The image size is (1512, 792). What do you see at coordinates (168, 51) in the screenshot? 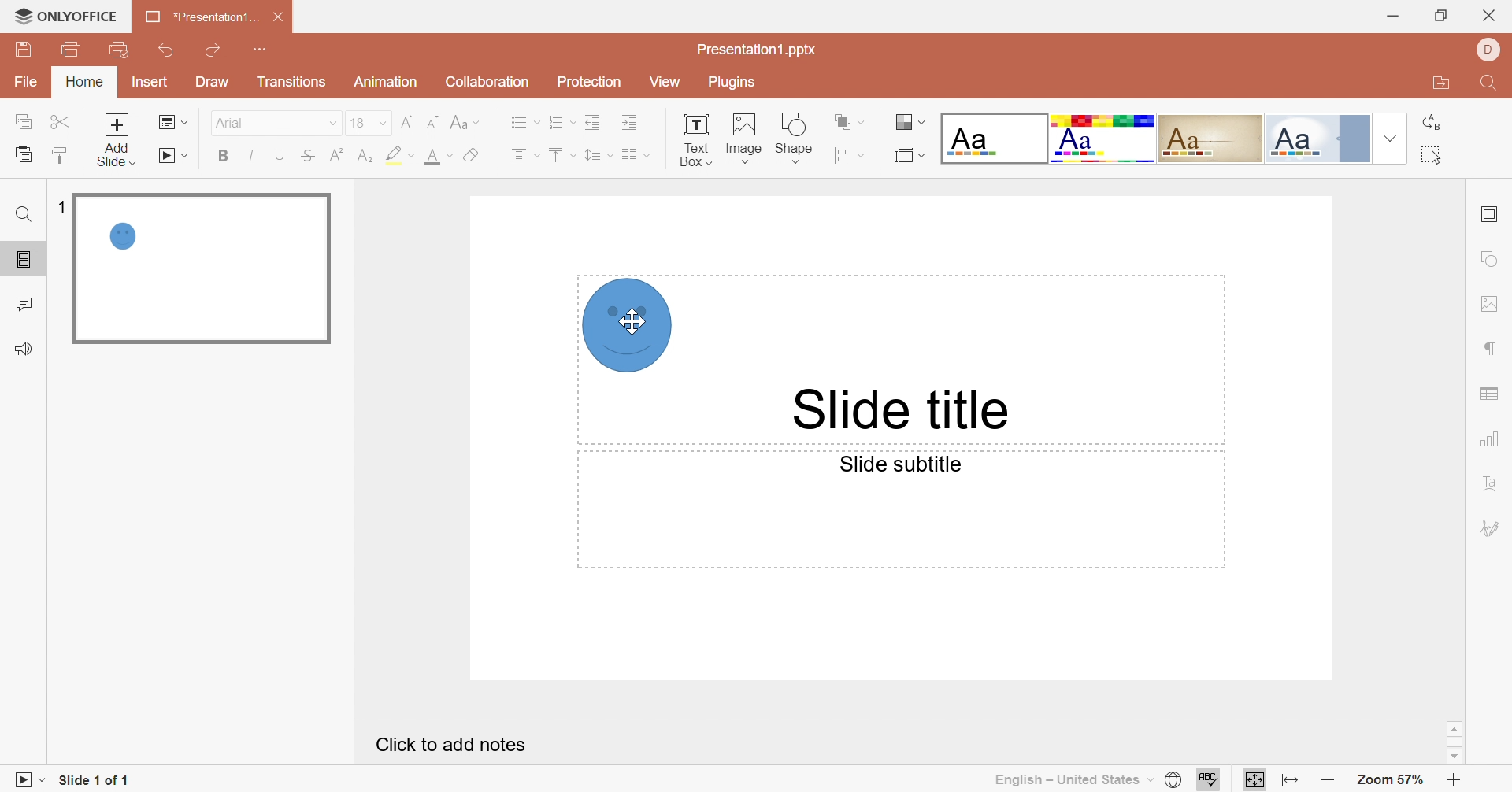
I see `Undo` at bounding box center [168, 51].